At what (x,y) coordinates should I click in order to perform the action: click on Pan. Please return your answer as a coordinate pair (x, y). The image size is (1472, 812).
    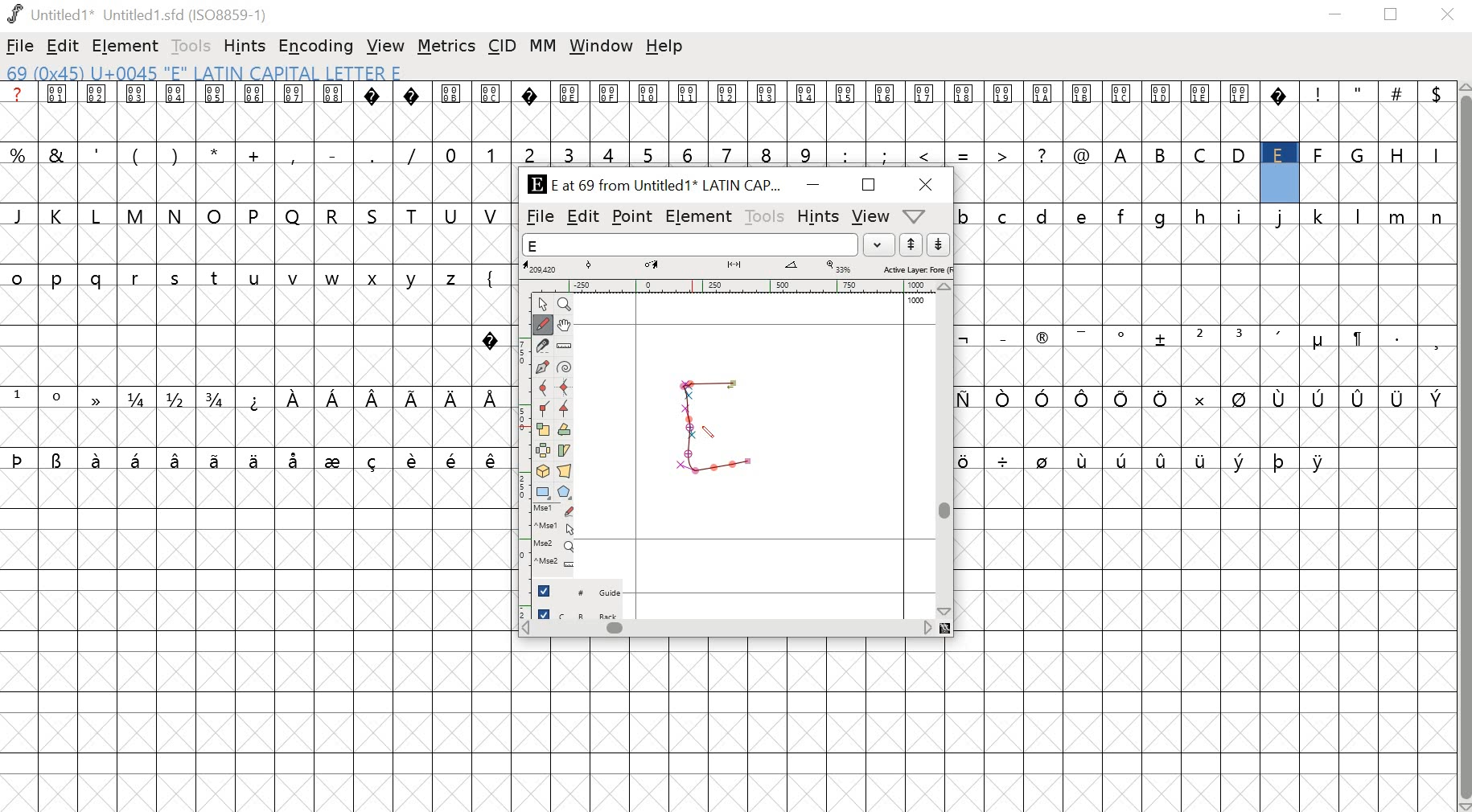
    Looking at the image, I should click on (567, 325).